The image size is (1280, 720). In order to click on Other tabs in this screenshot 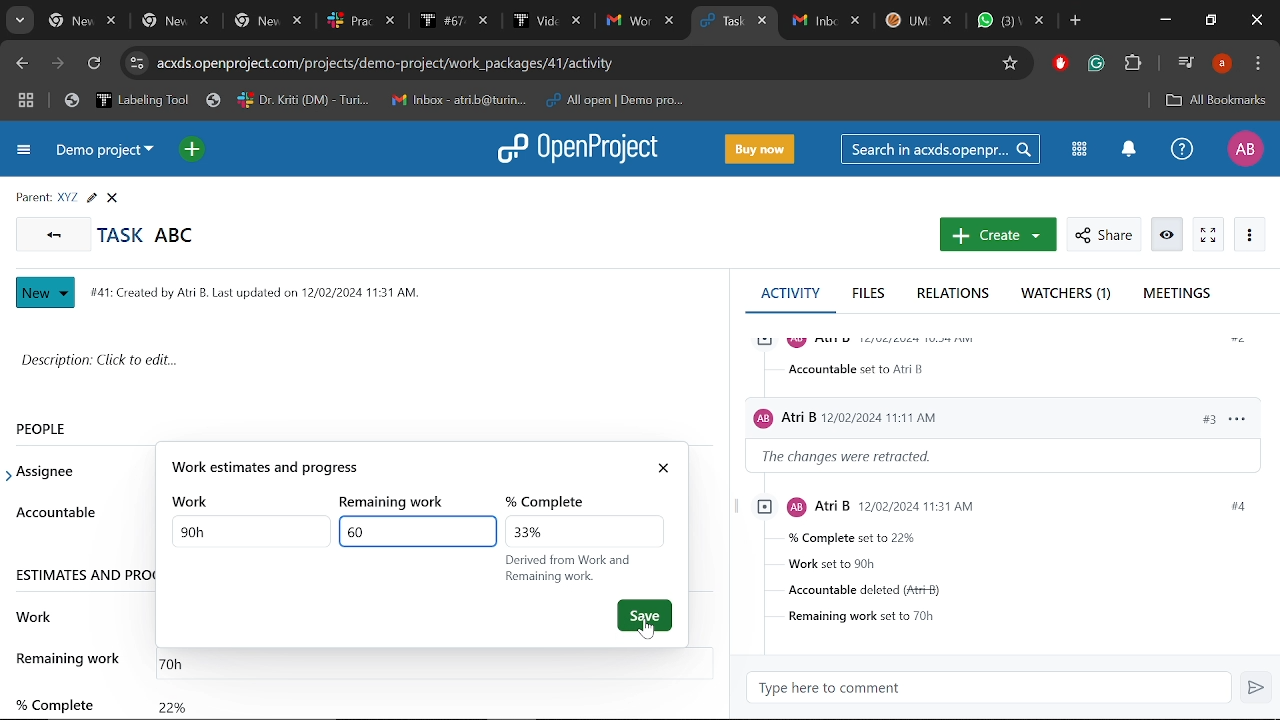, I will do `click(918, 20)`.